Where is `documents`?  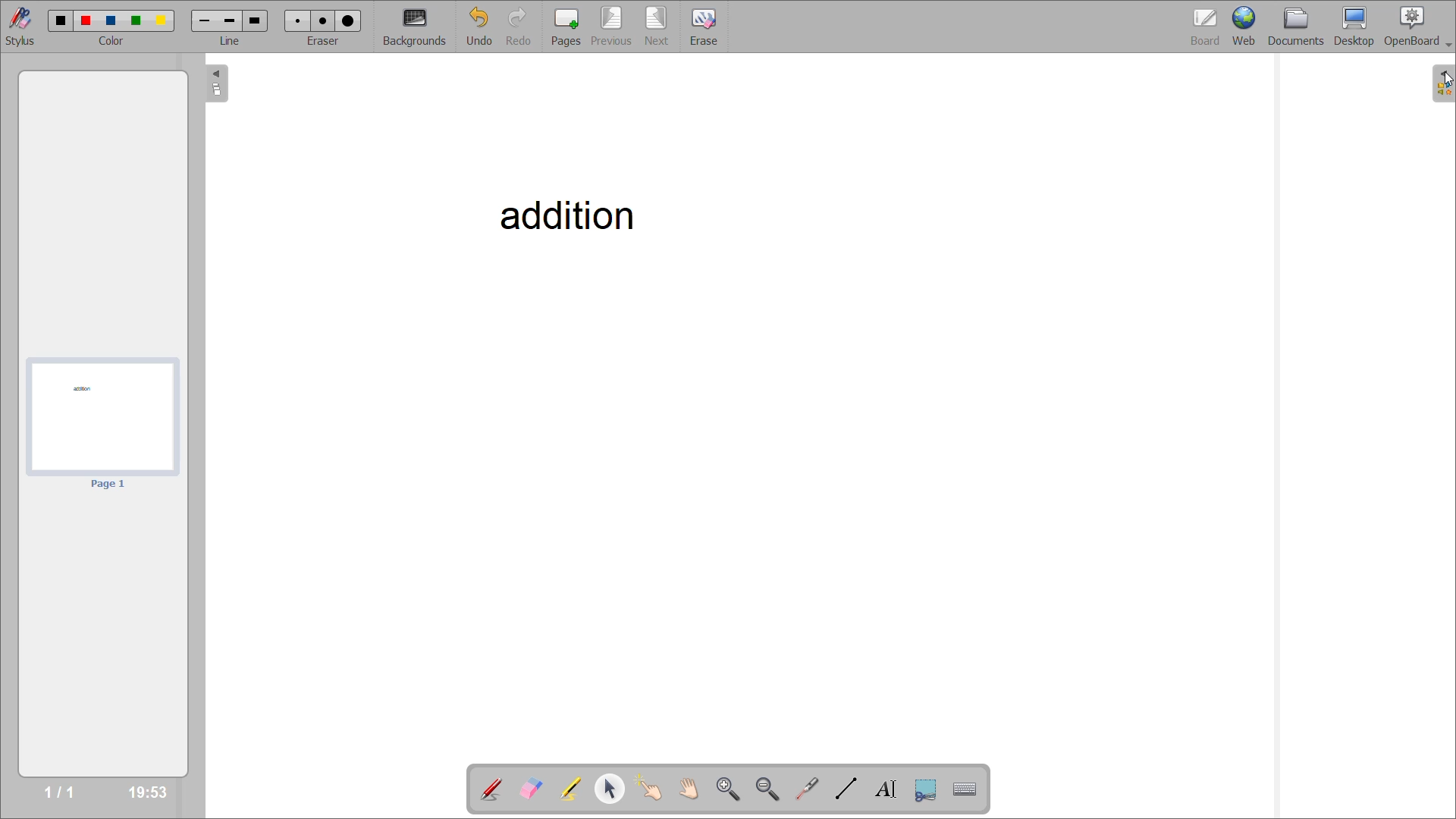 documents is located at coordinates (1302, 27).